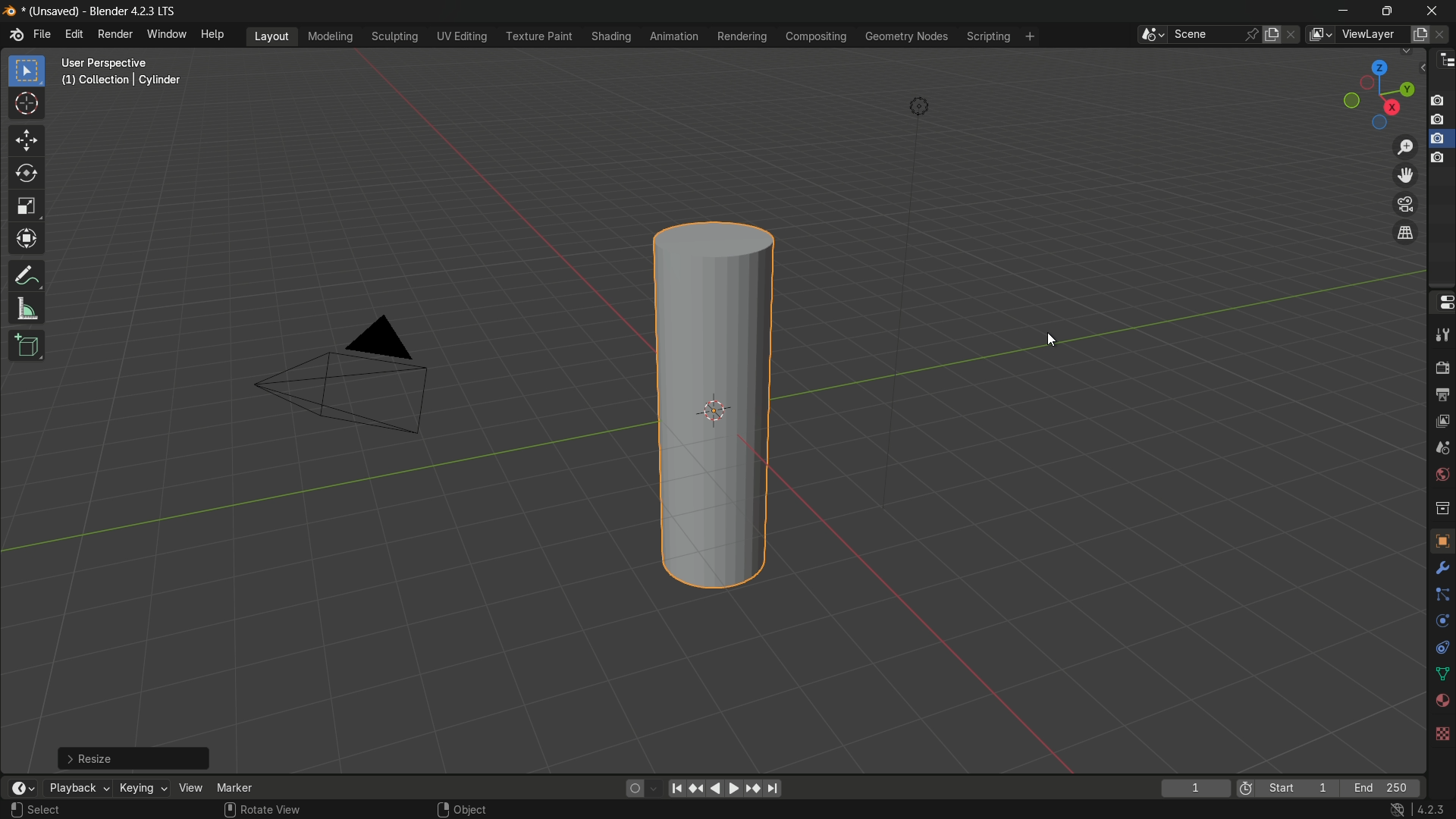 The height and width of the screenshot is (819, 1456). Describe the element at coordinates (123, 62) in the screenshot. I see `User Perspective` at that location.